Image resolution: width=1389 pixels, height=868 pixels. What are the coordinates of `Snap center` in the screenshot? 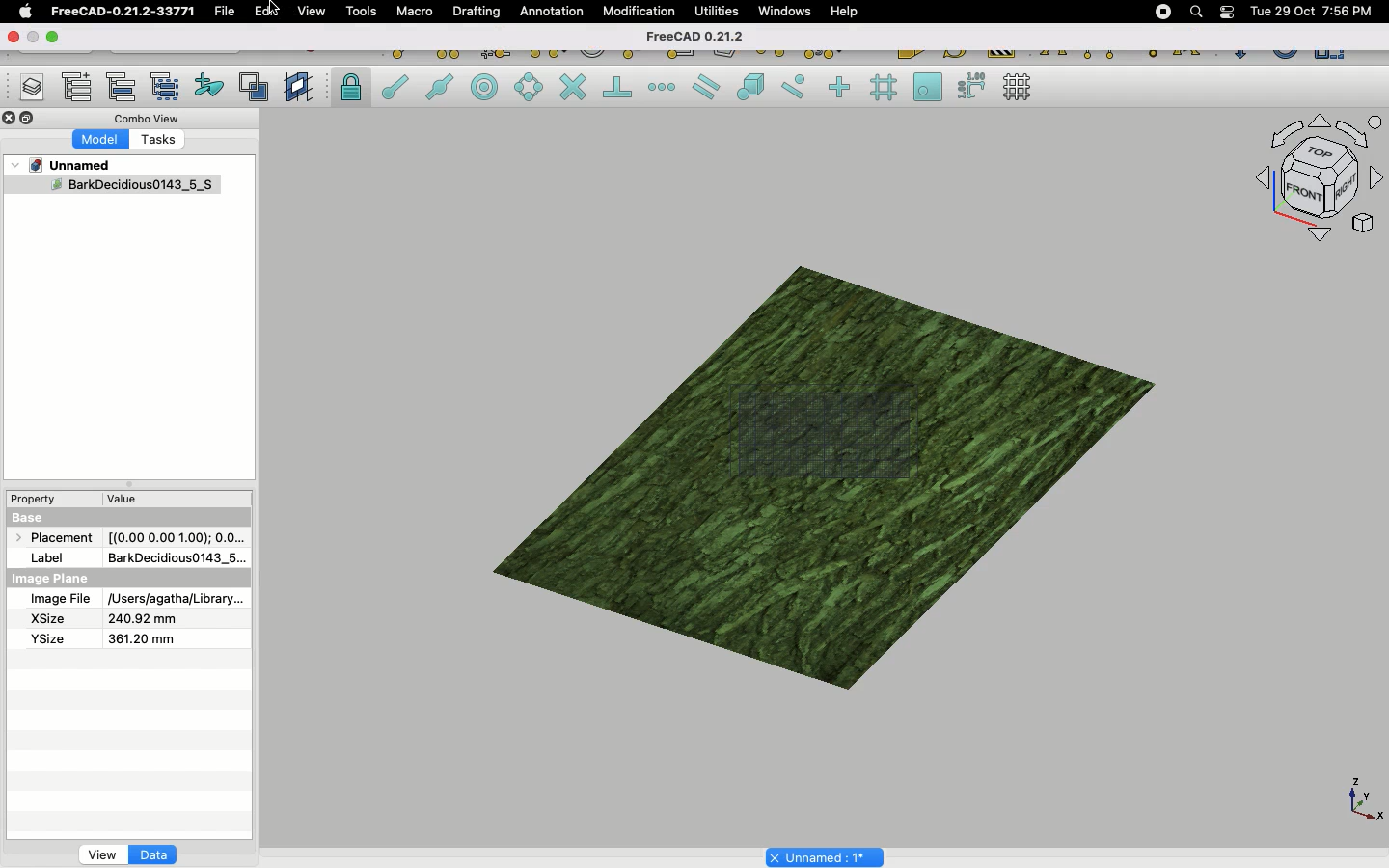 It's located at (490, 86).